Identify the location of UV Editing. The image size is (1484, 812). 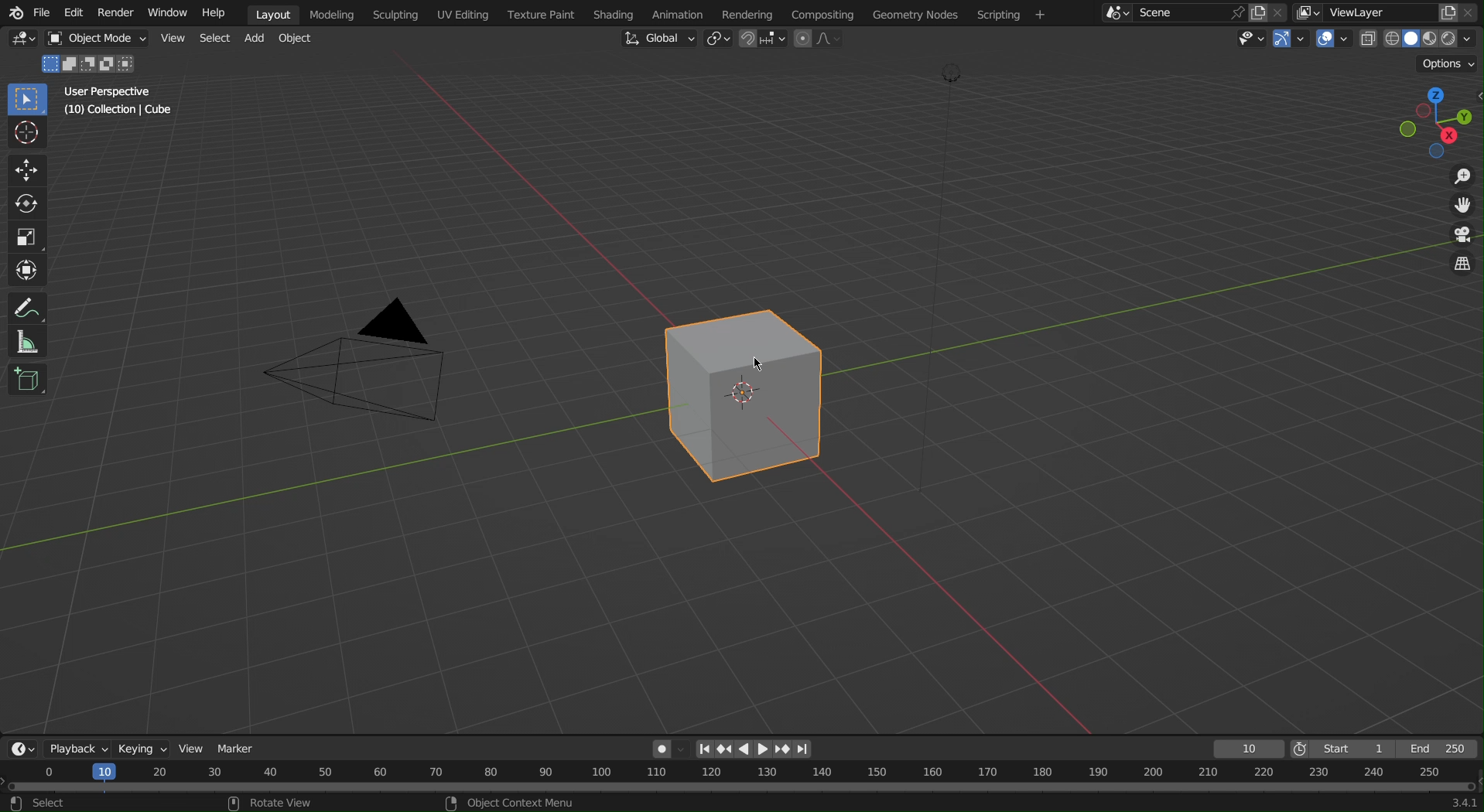
(460, 14).